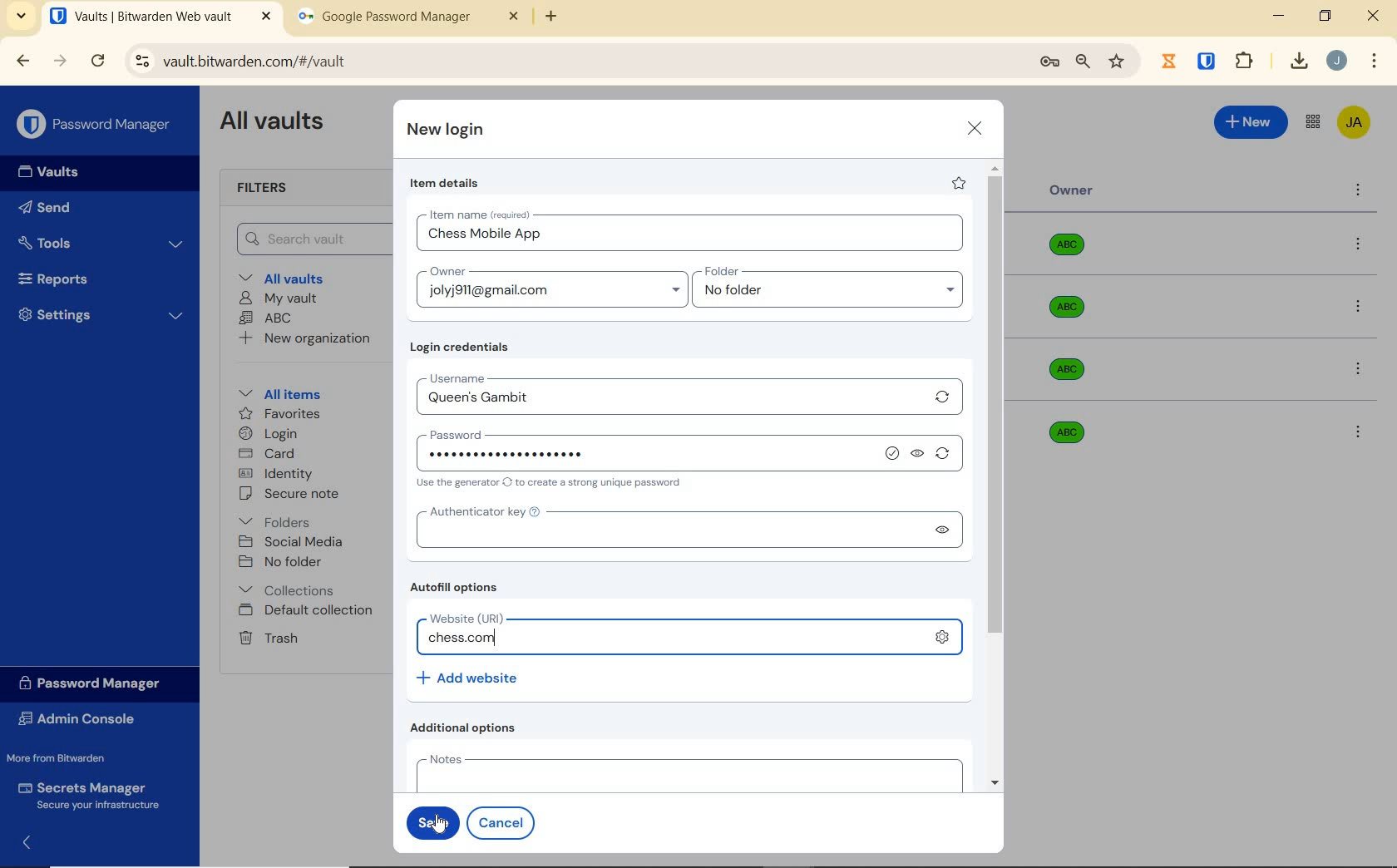 The height and width of the screenshot is (868, 1397). I want to click on minimize, so click(1278, 16).